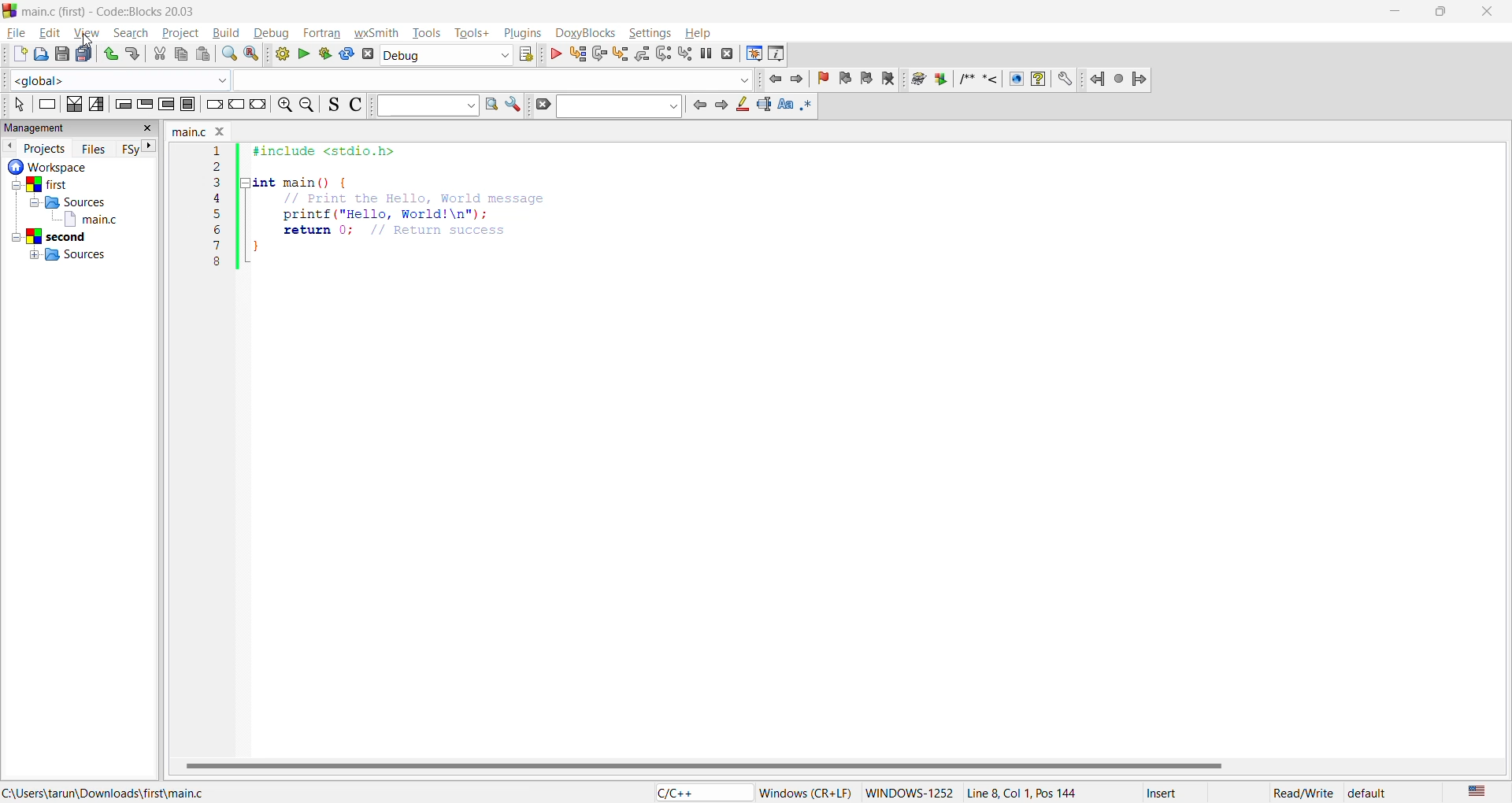 Image resolution: width=1512 pixels, height=803 pixels. I want to click on use regex, so click(807, 107).